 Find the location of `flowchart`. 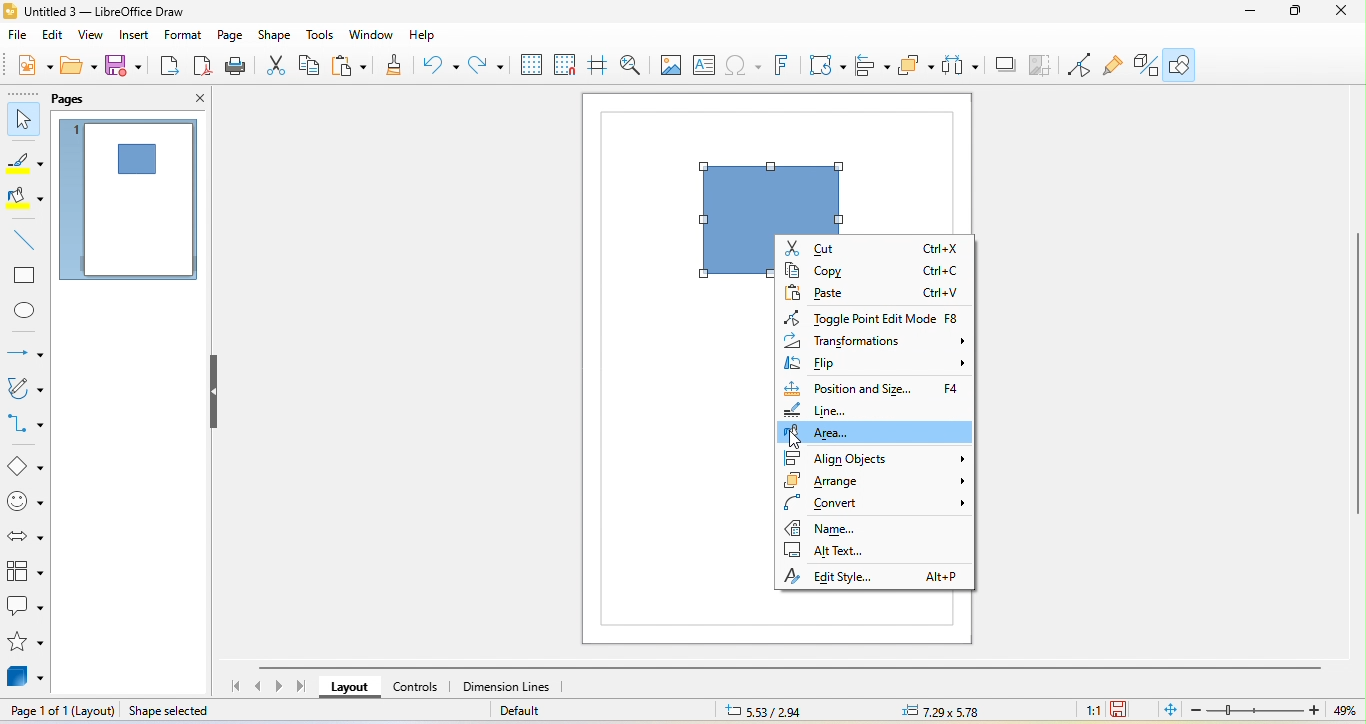

flowchart is located at coordinates (25, 571).